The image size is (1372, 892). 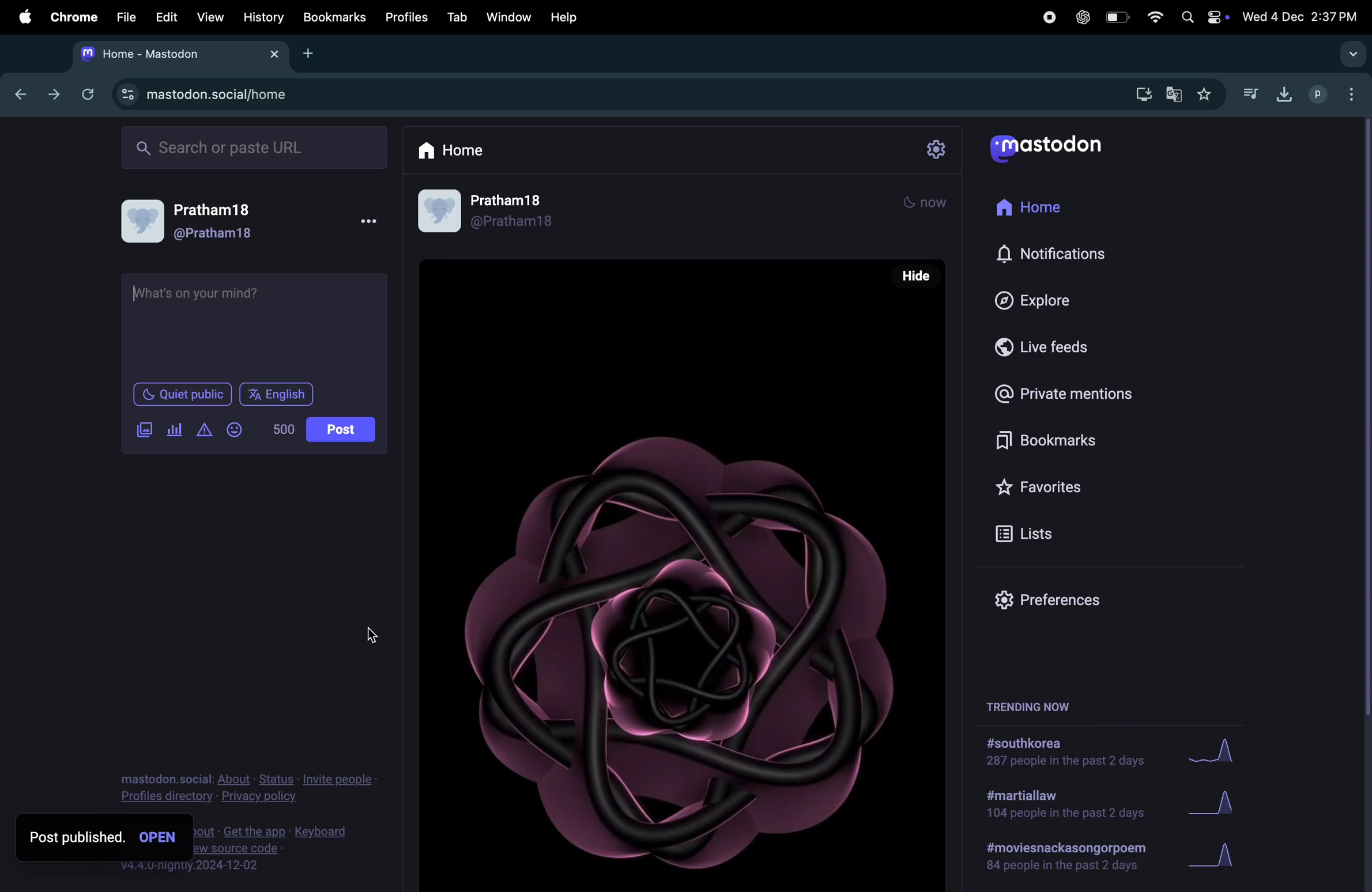 What do you see at coordinates (235, 430) in the screenshot?
I see `emoji` at bounding box center [235, 430].